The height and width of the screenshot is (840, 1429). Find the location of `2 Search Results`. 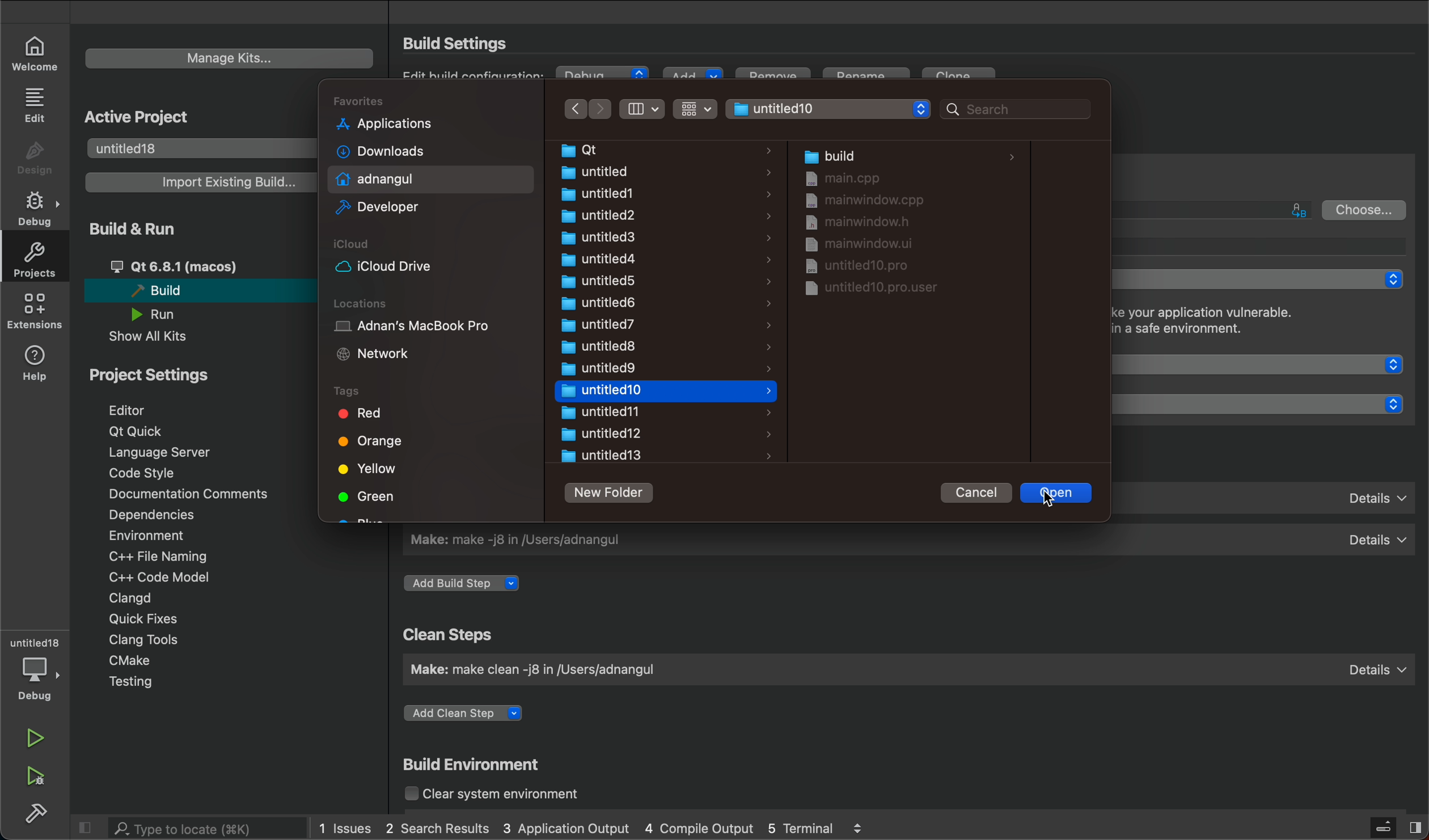

2 Search Results is located at coordinates (436, 826).